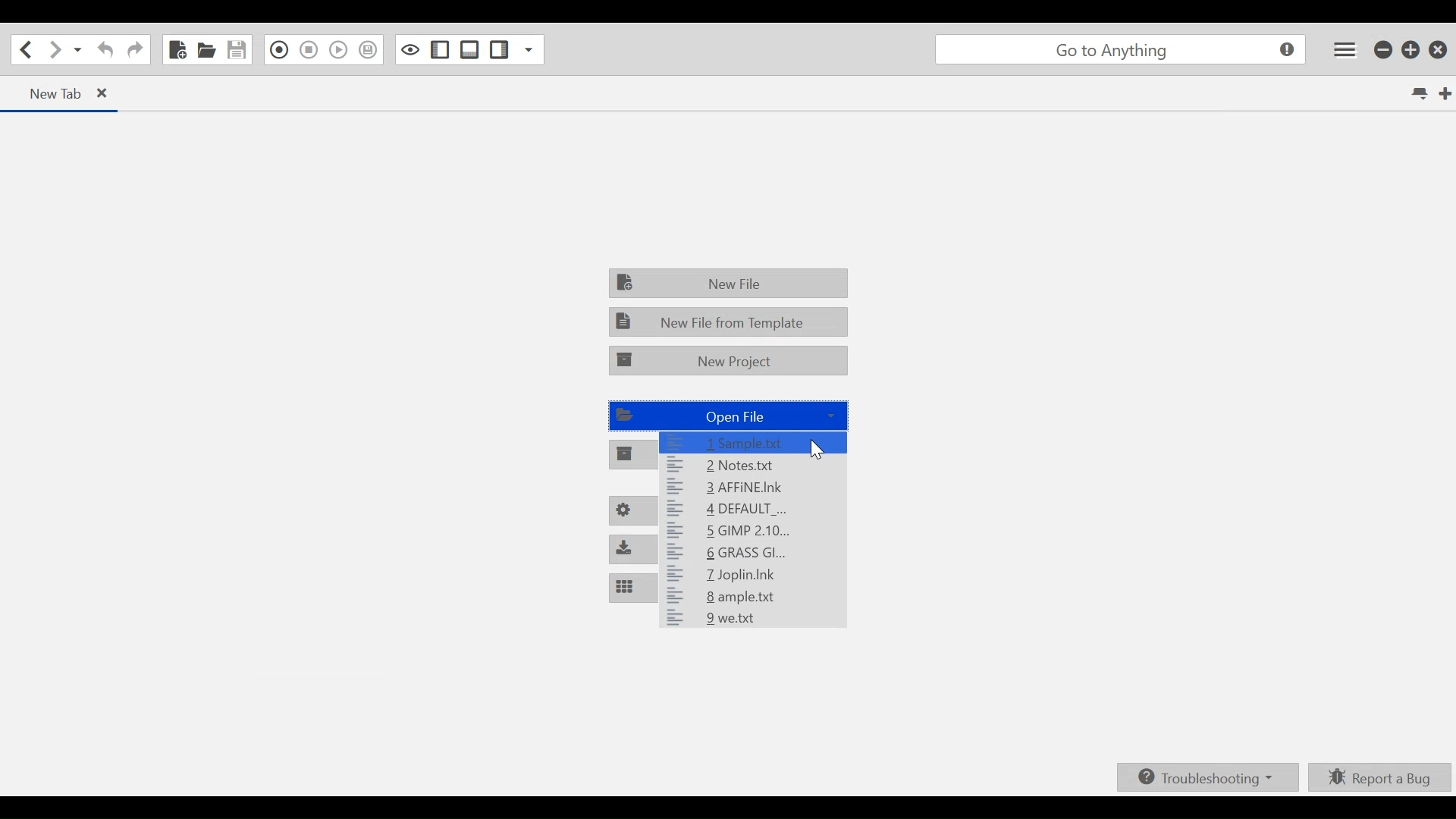  What do you see at coordinates (1118, 50) in the screenshot?
I see `go to anything` at bounding box center [1118, 50].